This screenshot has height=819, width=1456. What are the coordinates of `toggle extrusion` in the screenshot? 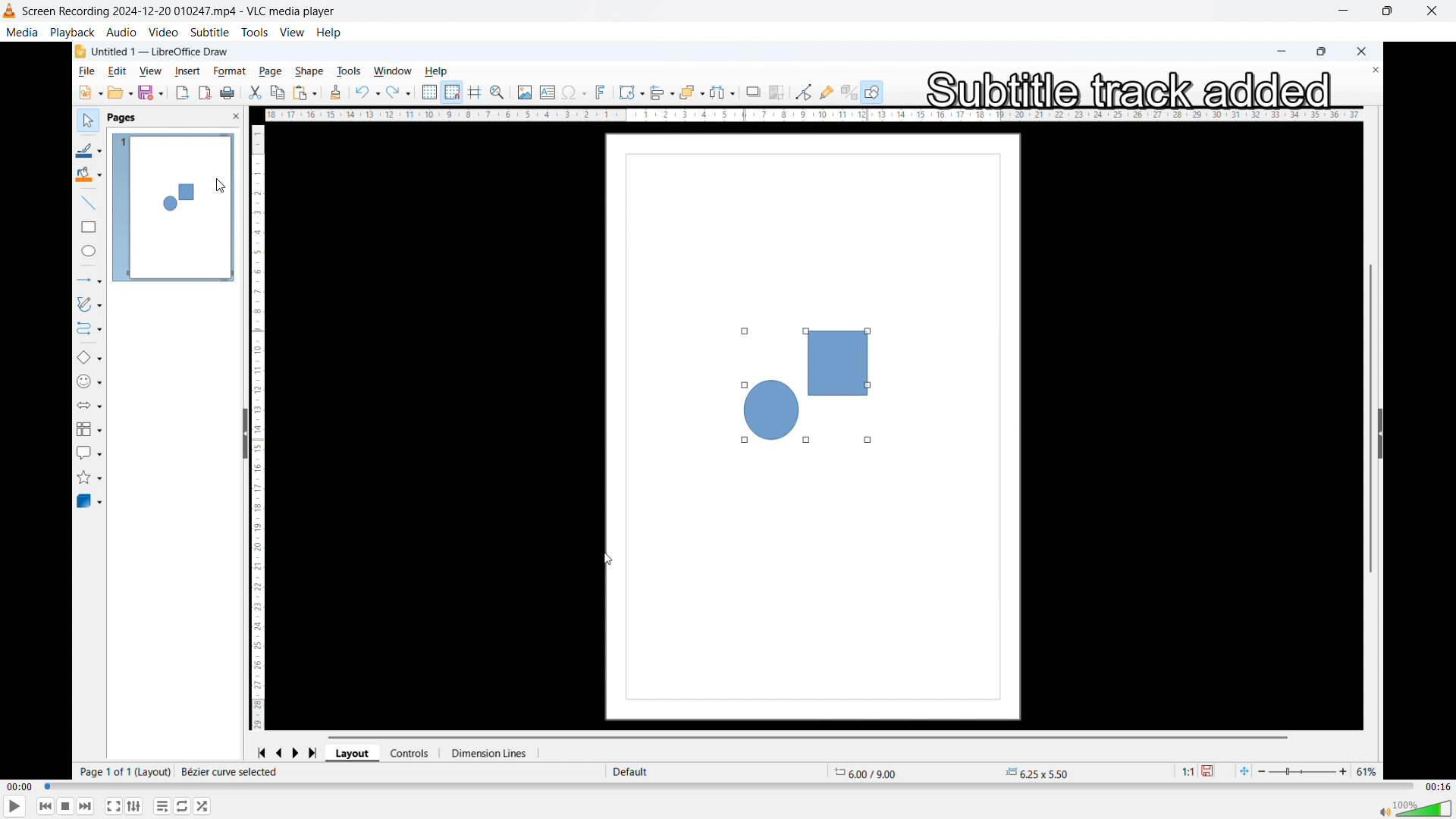 It's located at (849, 93).